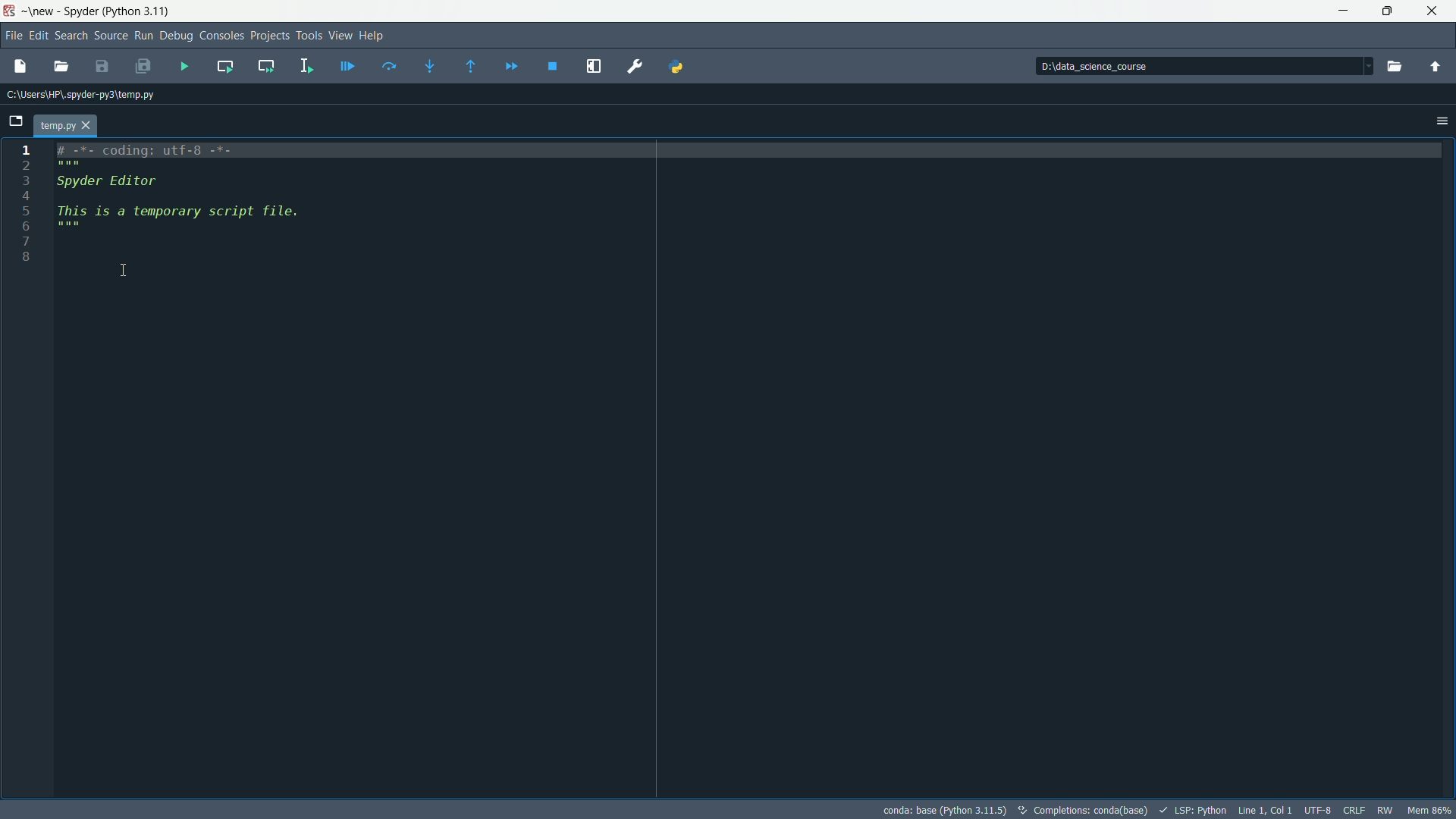  What do you see at coordinates (347, 67) in the screenshot?
I see `debug file` at bounding box center [347, 67].